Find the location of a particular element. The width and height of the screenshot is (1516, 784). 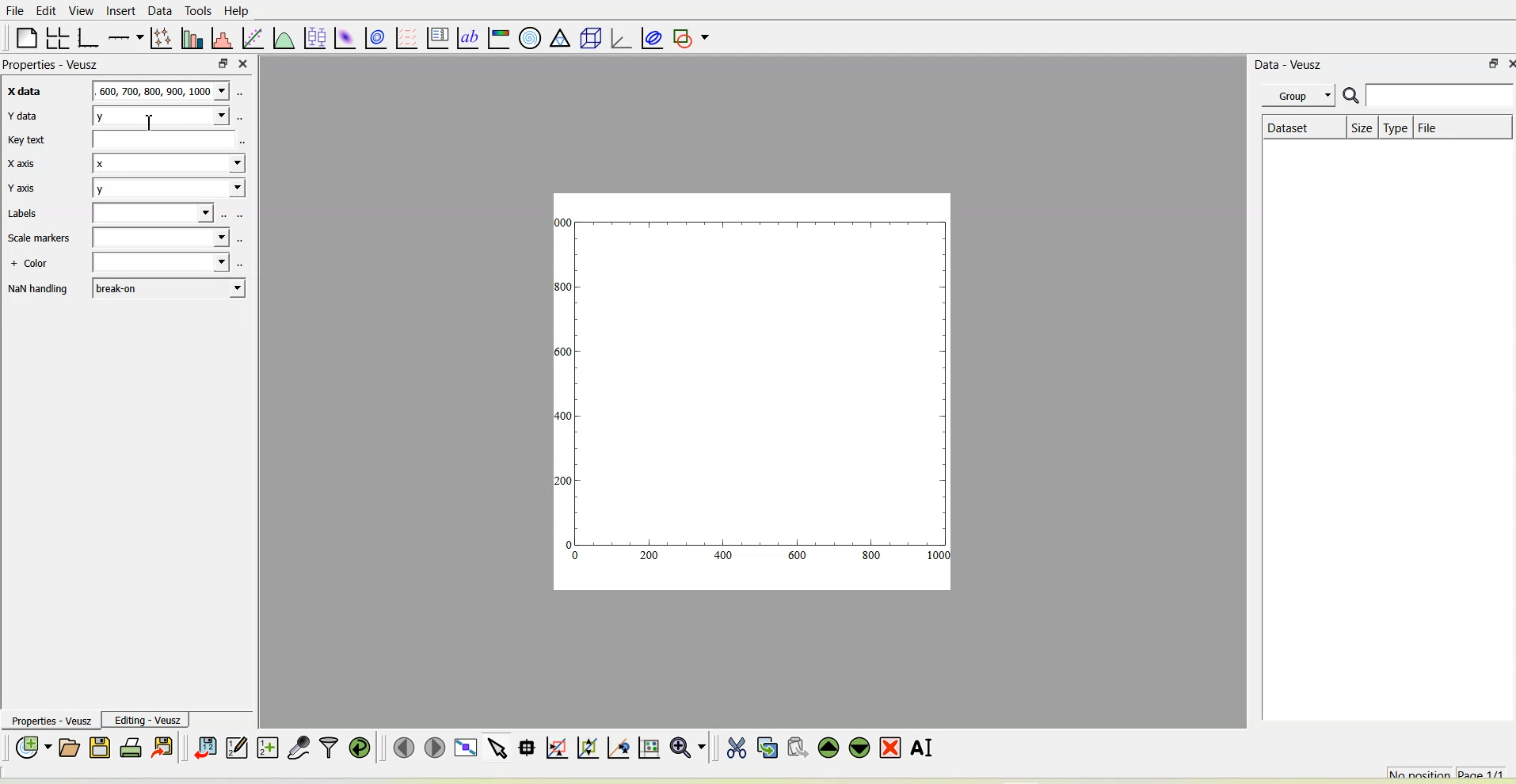

Arrange graphs in a grid is located at coordinates (58, 38).